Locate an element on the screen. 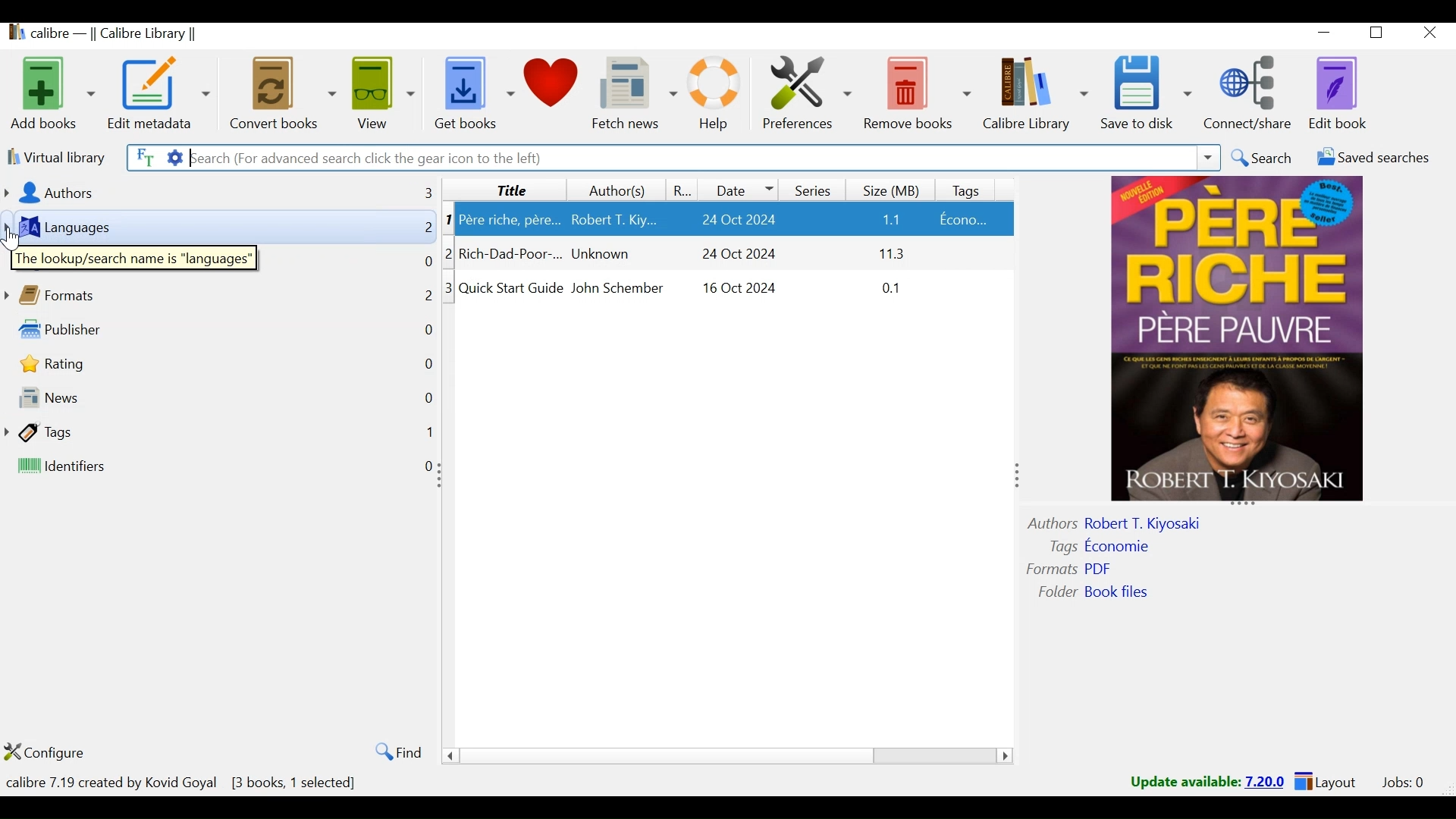  the lookup/search name is languages is located at coordinates (133, 256).